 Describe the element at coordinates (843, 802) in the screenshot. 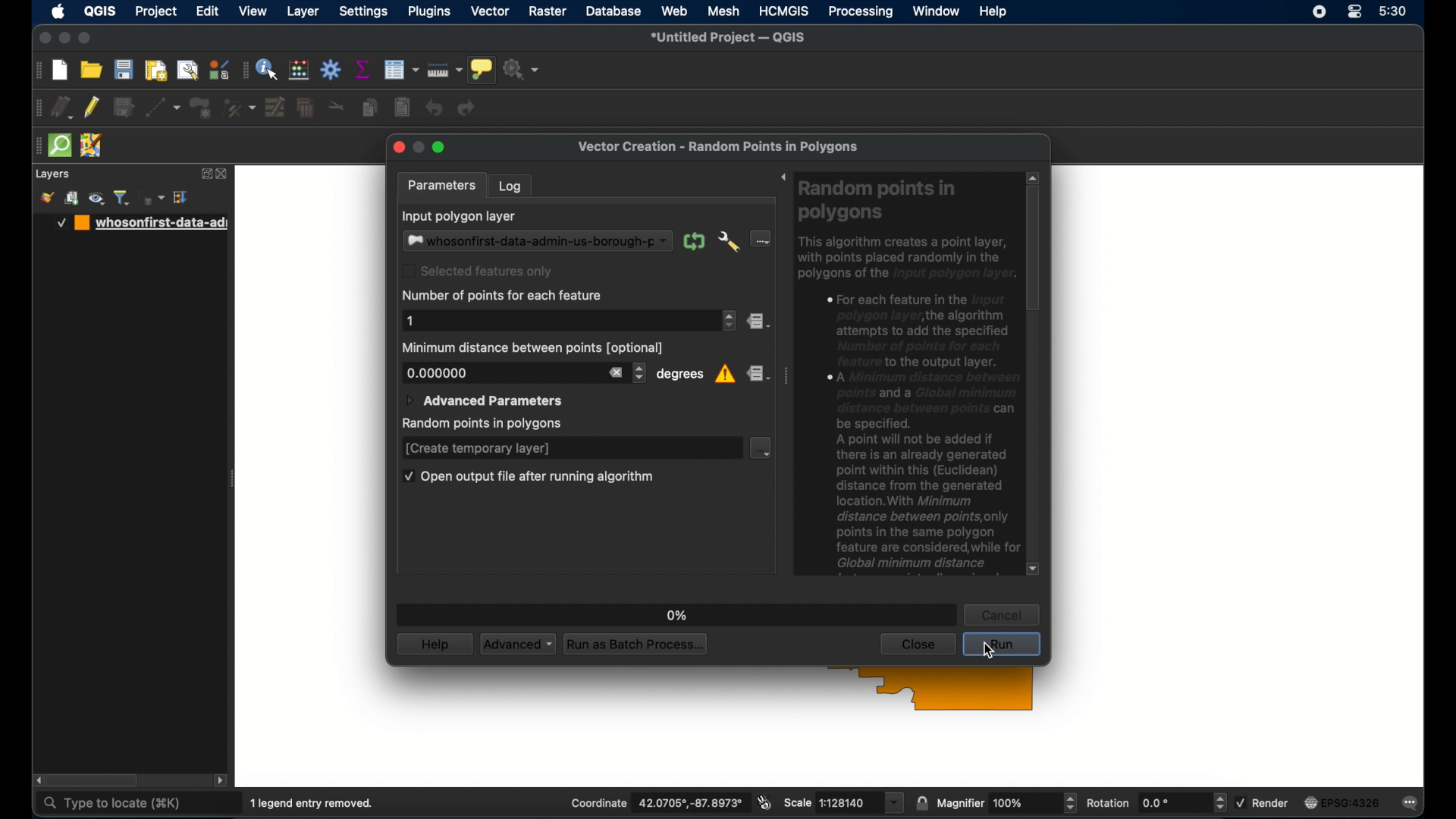

I see `scale` at that location.